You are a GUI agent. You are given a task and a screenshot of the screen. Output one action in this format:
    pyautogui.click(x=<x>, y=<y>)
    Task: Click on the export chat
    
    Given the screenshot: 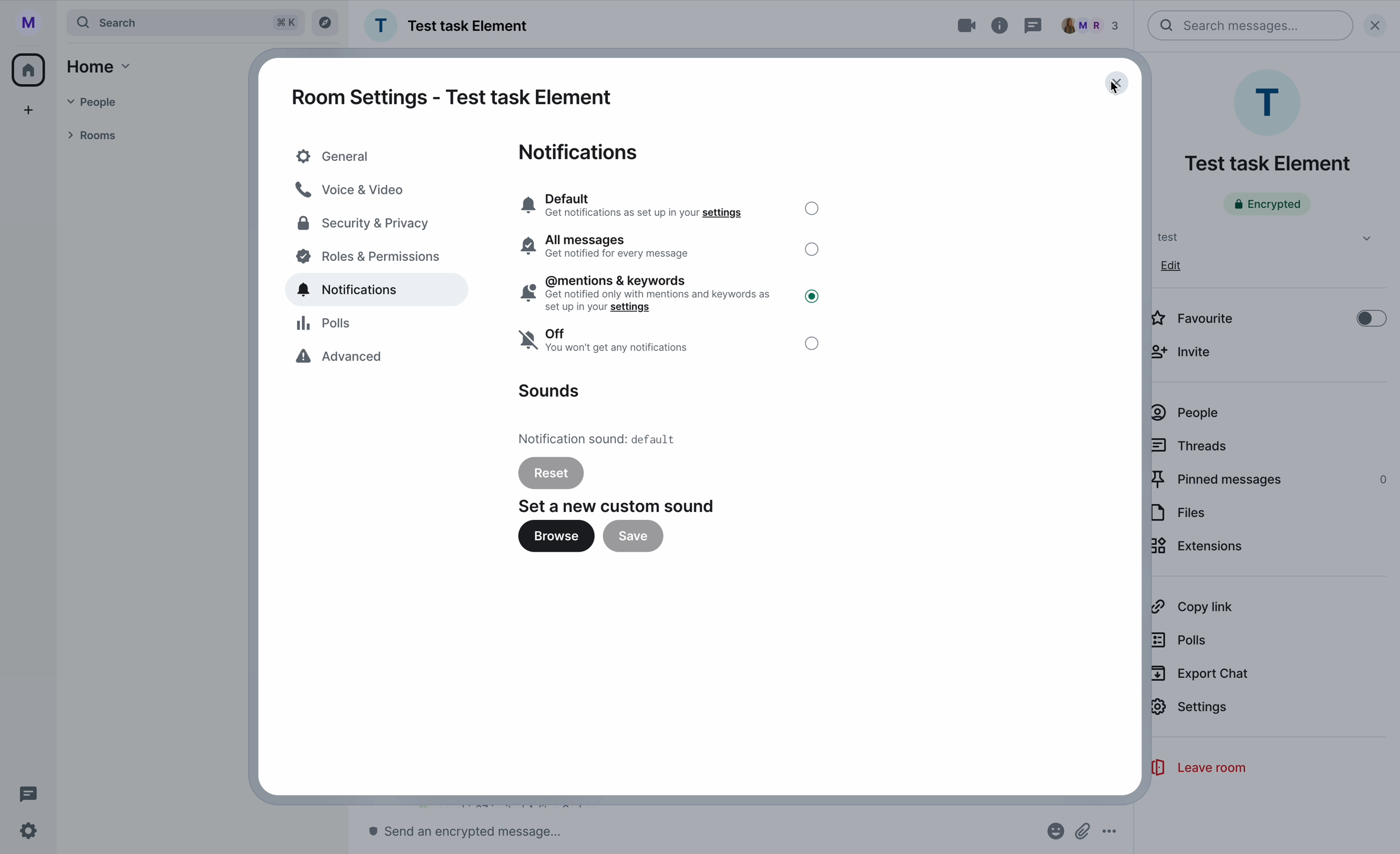 What is the action you would take?
    pyautogui.click(x=1201, y=674)
    